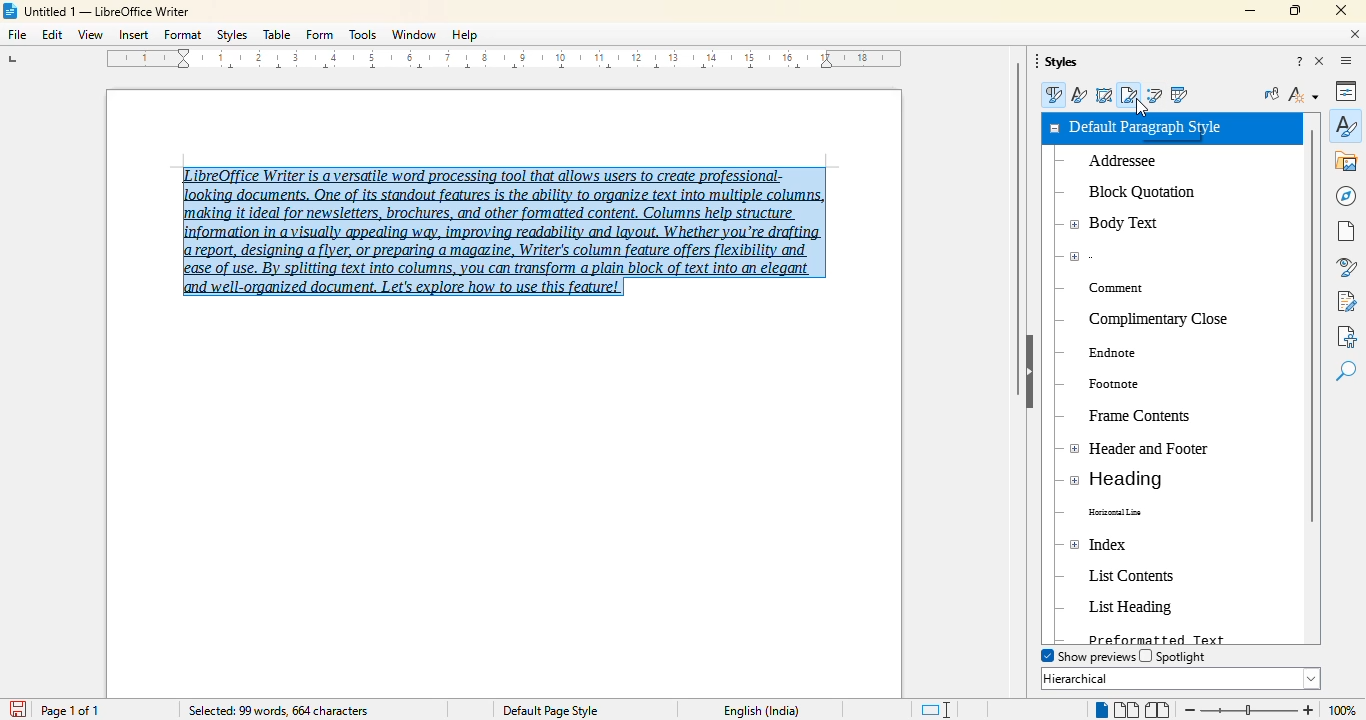 This screenshot has width=1366, height=720. Describe the element at coordinates (1174, 656) in the screenshot. I see `spotlight` at that location.